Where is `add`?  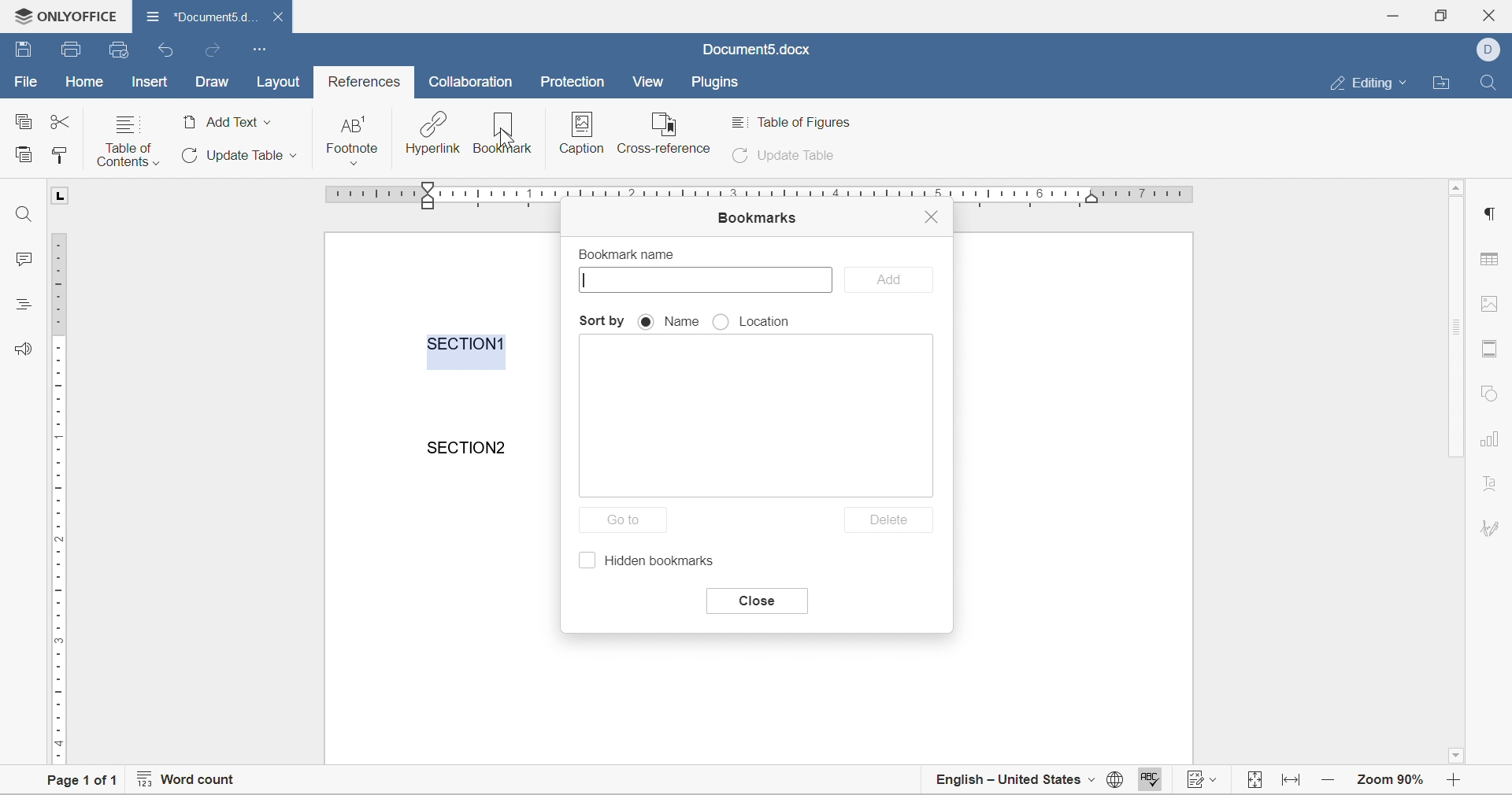 add is located at coordinates (889, 279).